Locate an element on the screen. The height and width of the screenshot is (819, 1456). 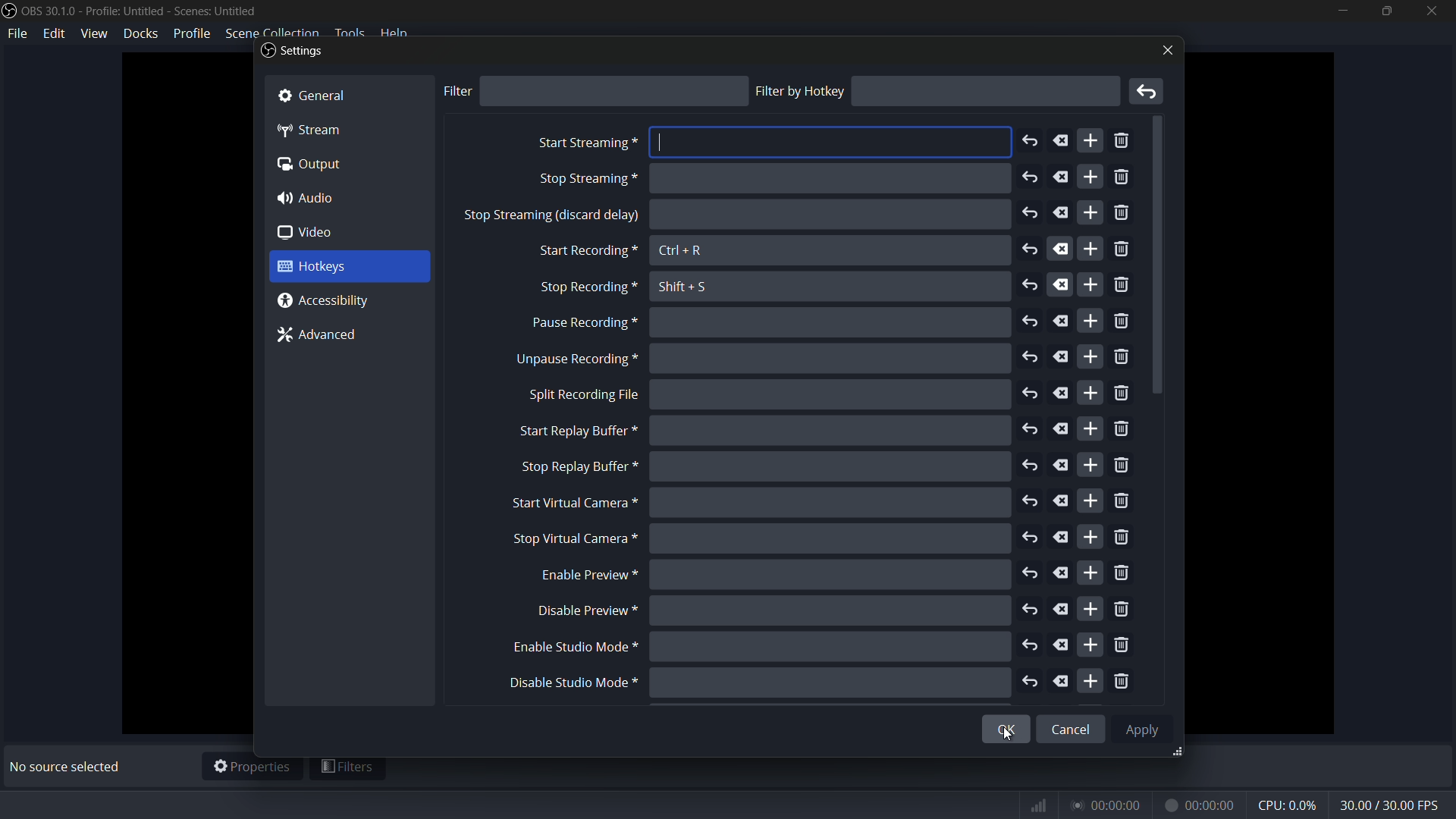
delete is located at coordinates (1062, 645).